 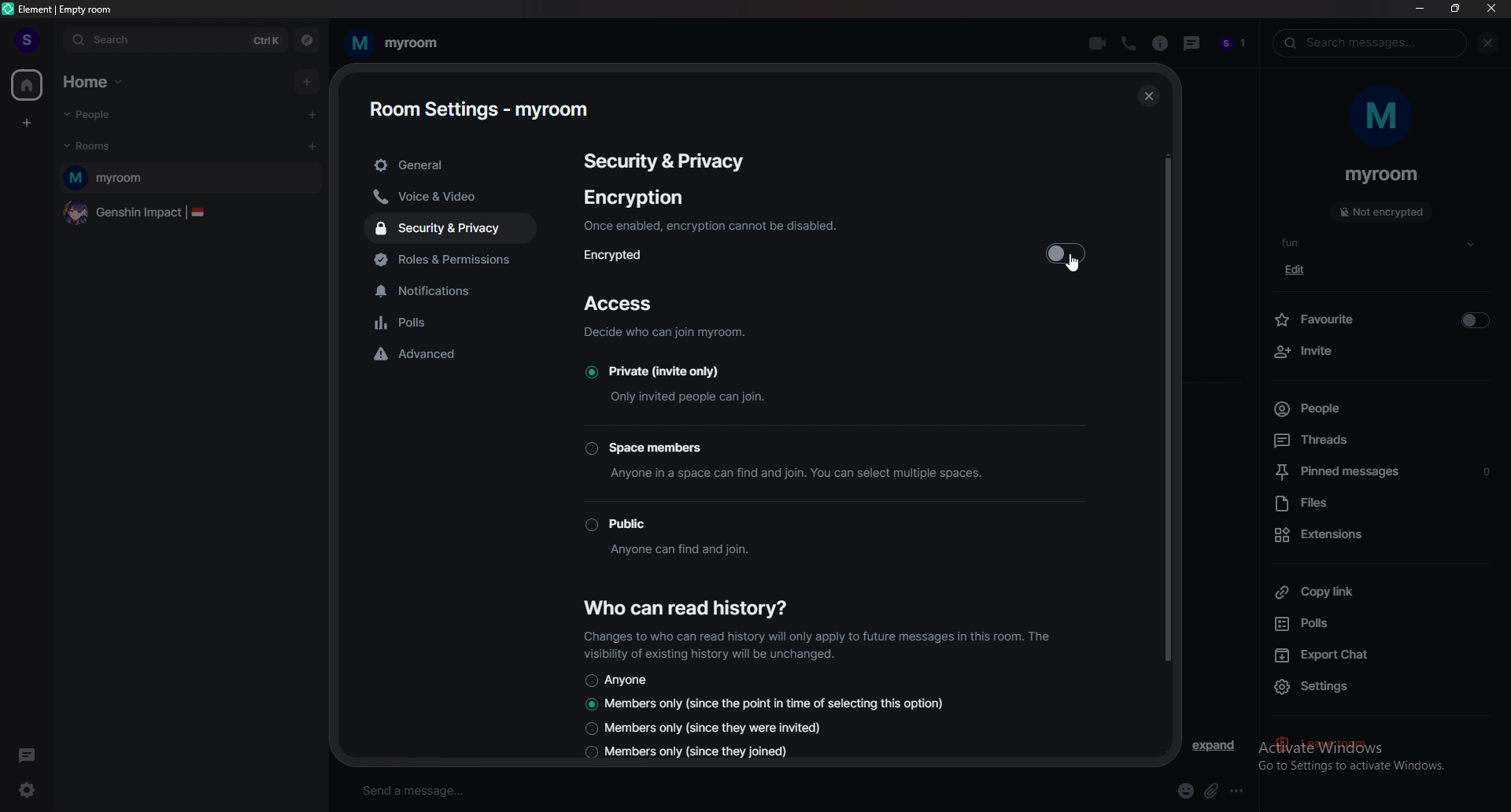 I want to click on polls, so click(x=1382, y=622).